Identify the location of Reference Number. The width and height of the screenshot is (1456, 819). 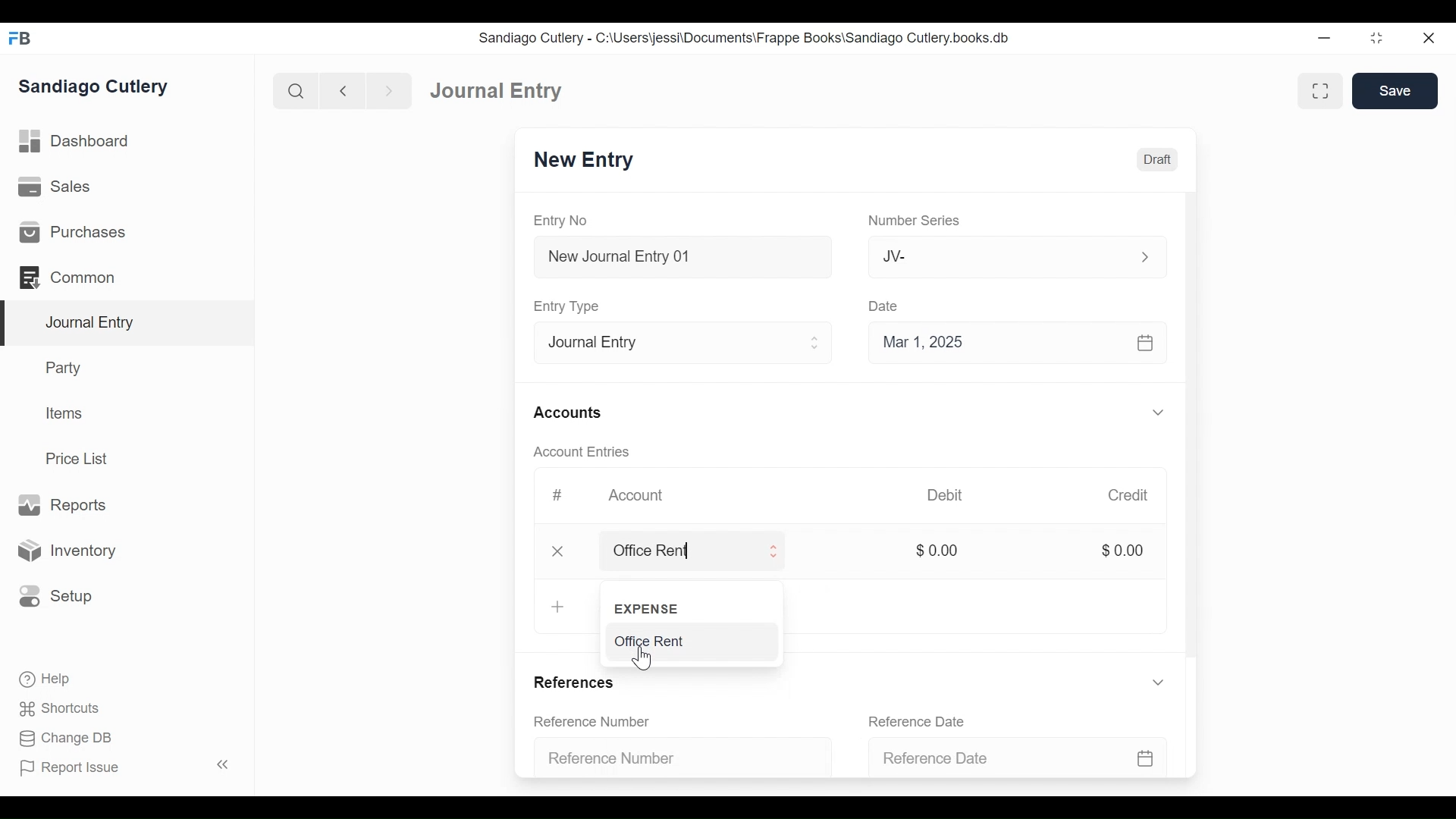
(680, 759).